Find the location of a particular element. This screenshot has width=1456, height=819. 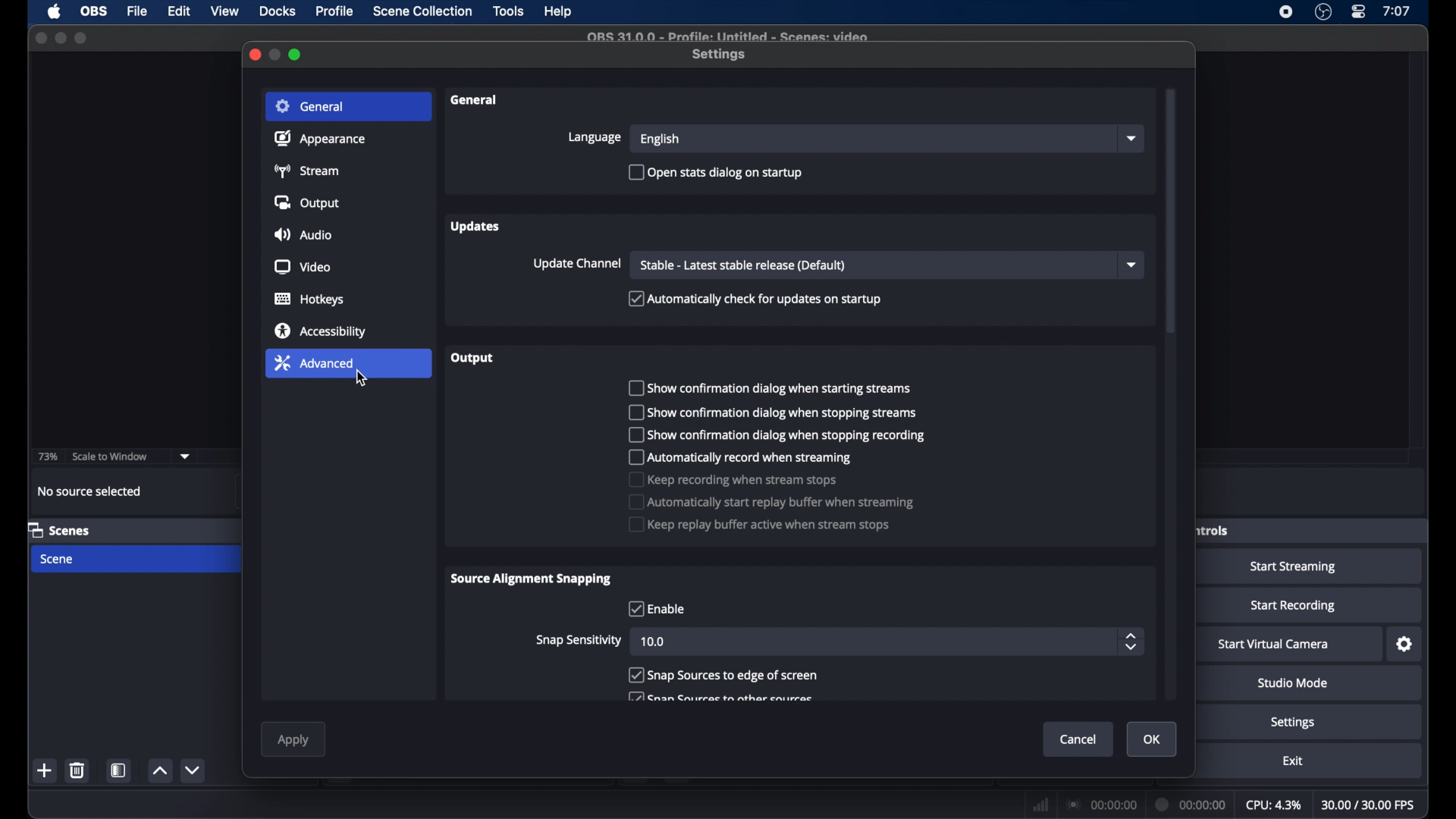

screen recorder is located at coordinates (1285, 12).